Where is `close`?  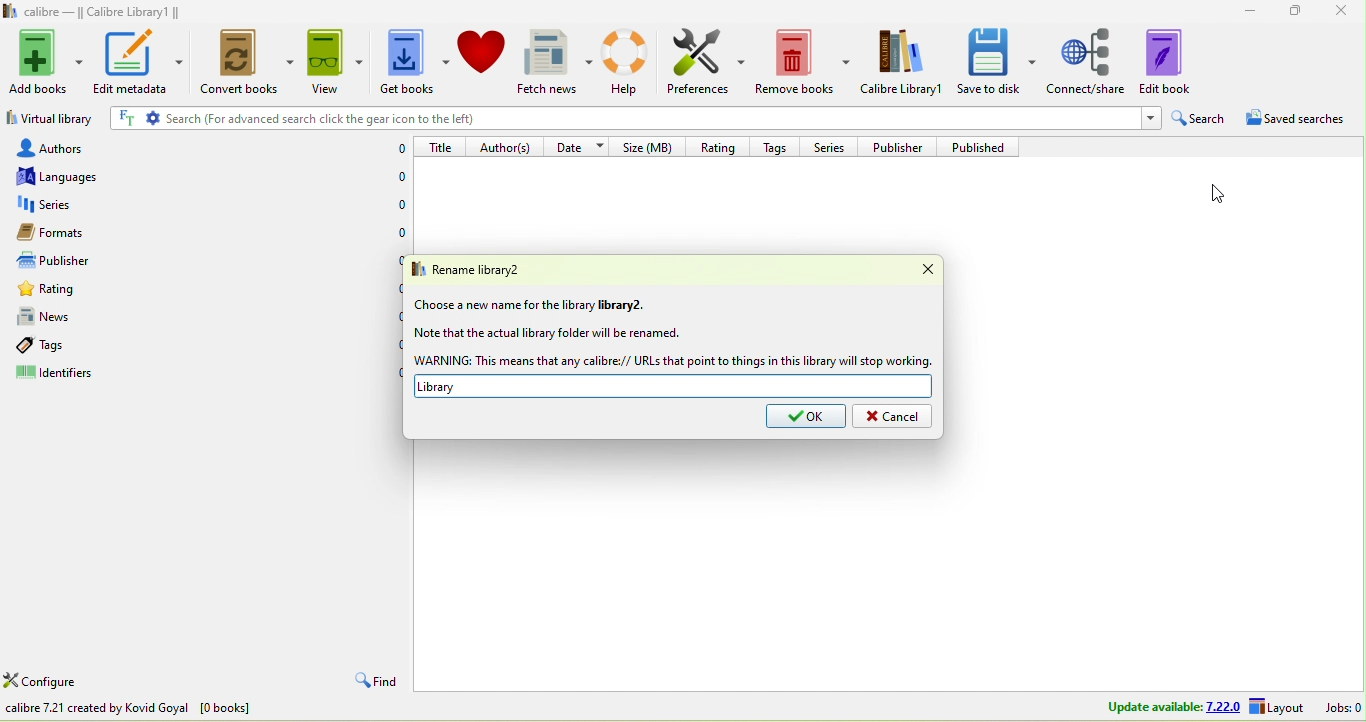
close is located at coordinates (916, 270).